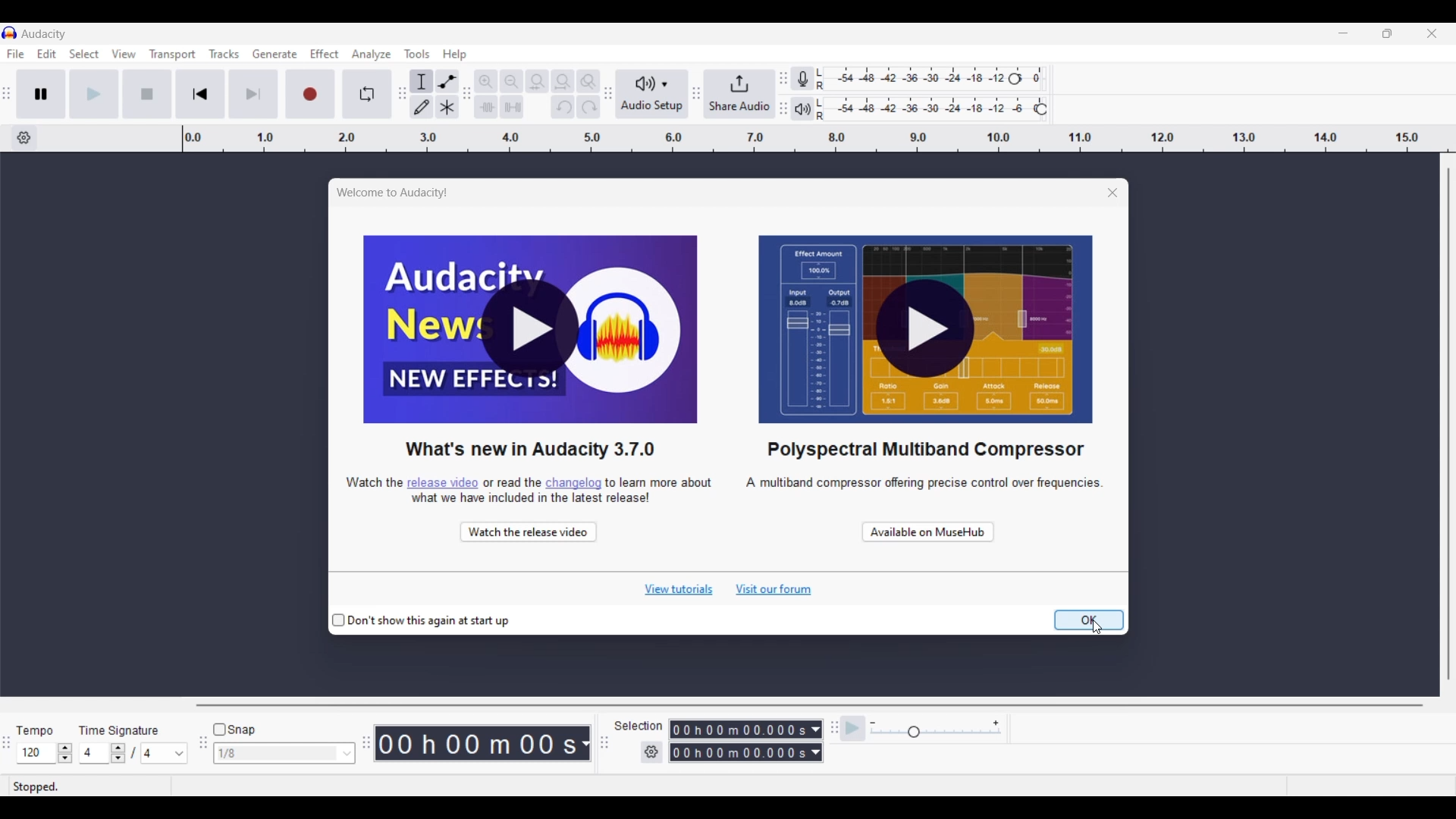 The height and width of the screenshot is (819, 1456). What do you see at coordinates (1100, 629) in the screenshot?
I see `cursor` at bounding box center [1100, 629].